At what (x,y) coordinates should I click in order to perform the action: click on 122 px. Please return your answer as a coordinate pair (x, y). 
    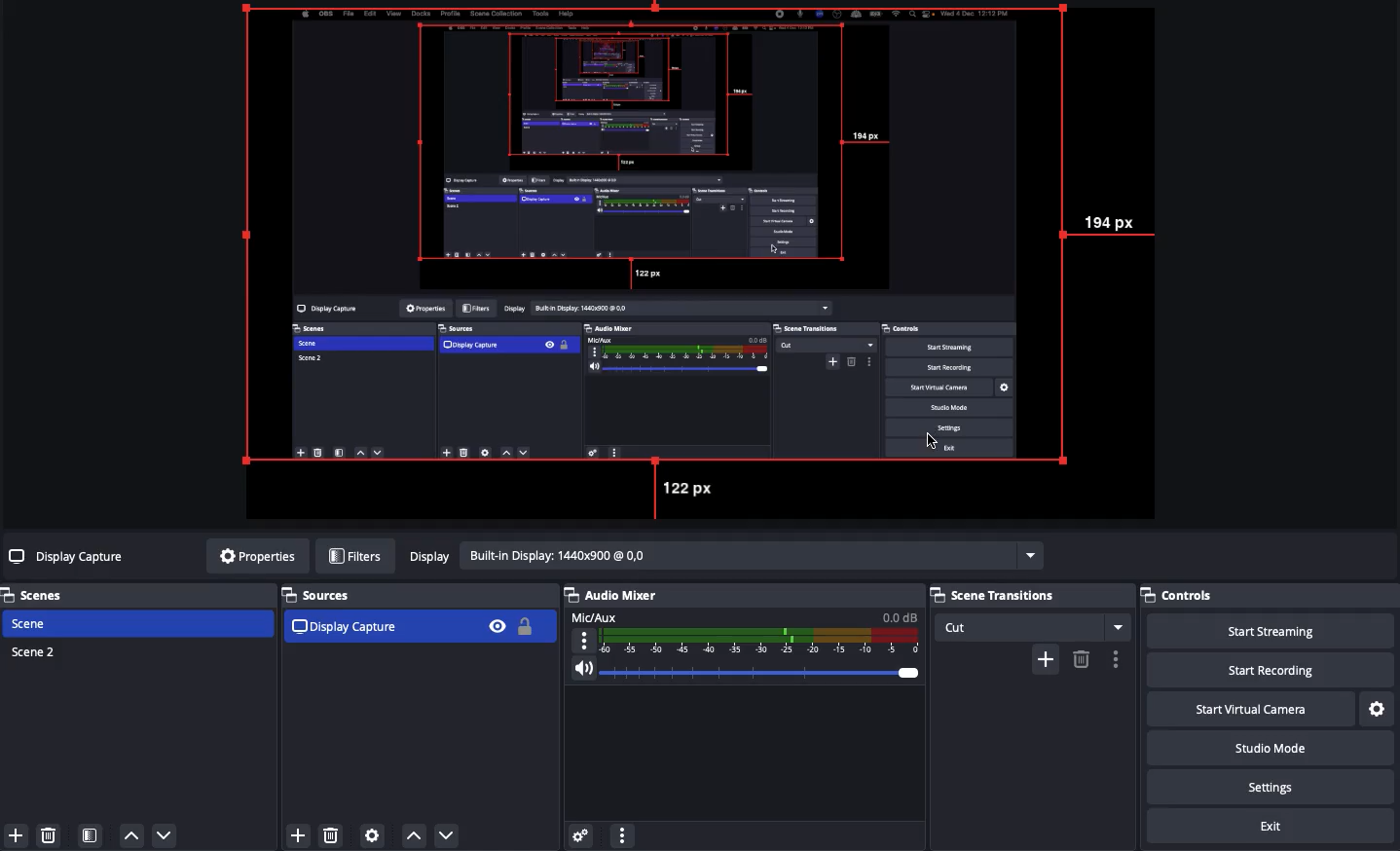
    Looking at the image, I should click on (691, 489).